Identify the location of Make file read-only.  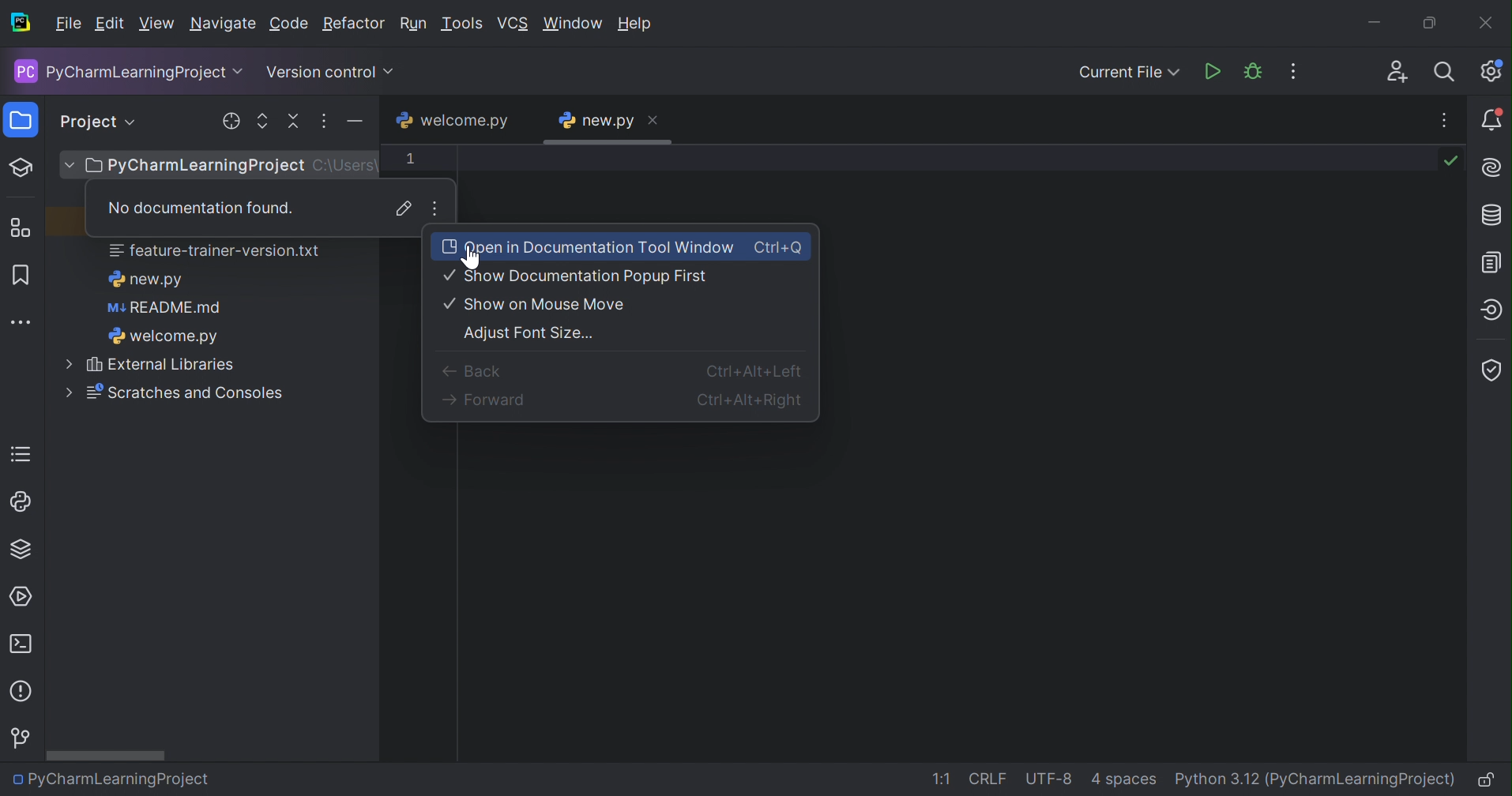
(1491, 782).